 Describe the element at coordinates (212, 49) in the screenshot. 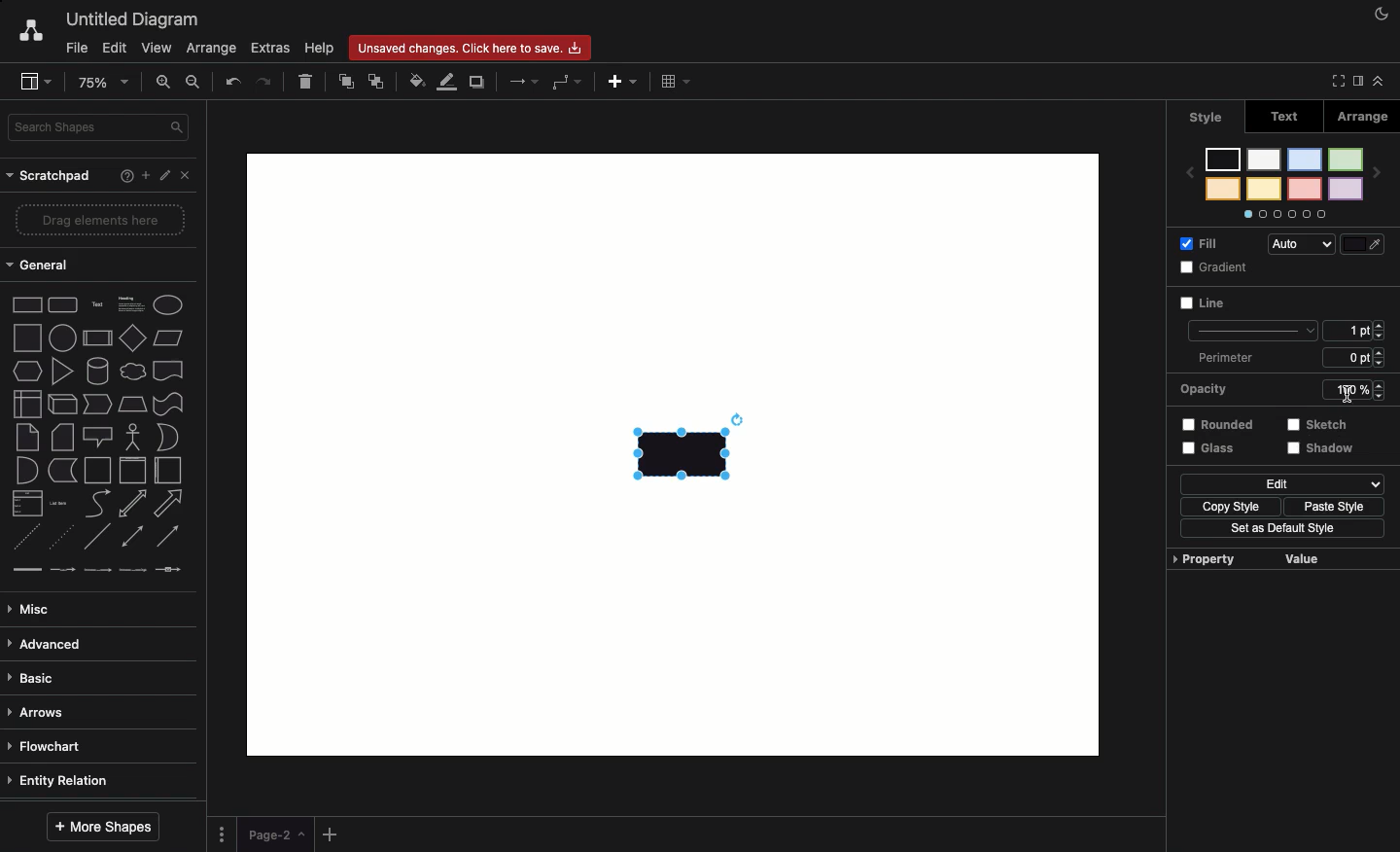

I see `Arrange` at that location.